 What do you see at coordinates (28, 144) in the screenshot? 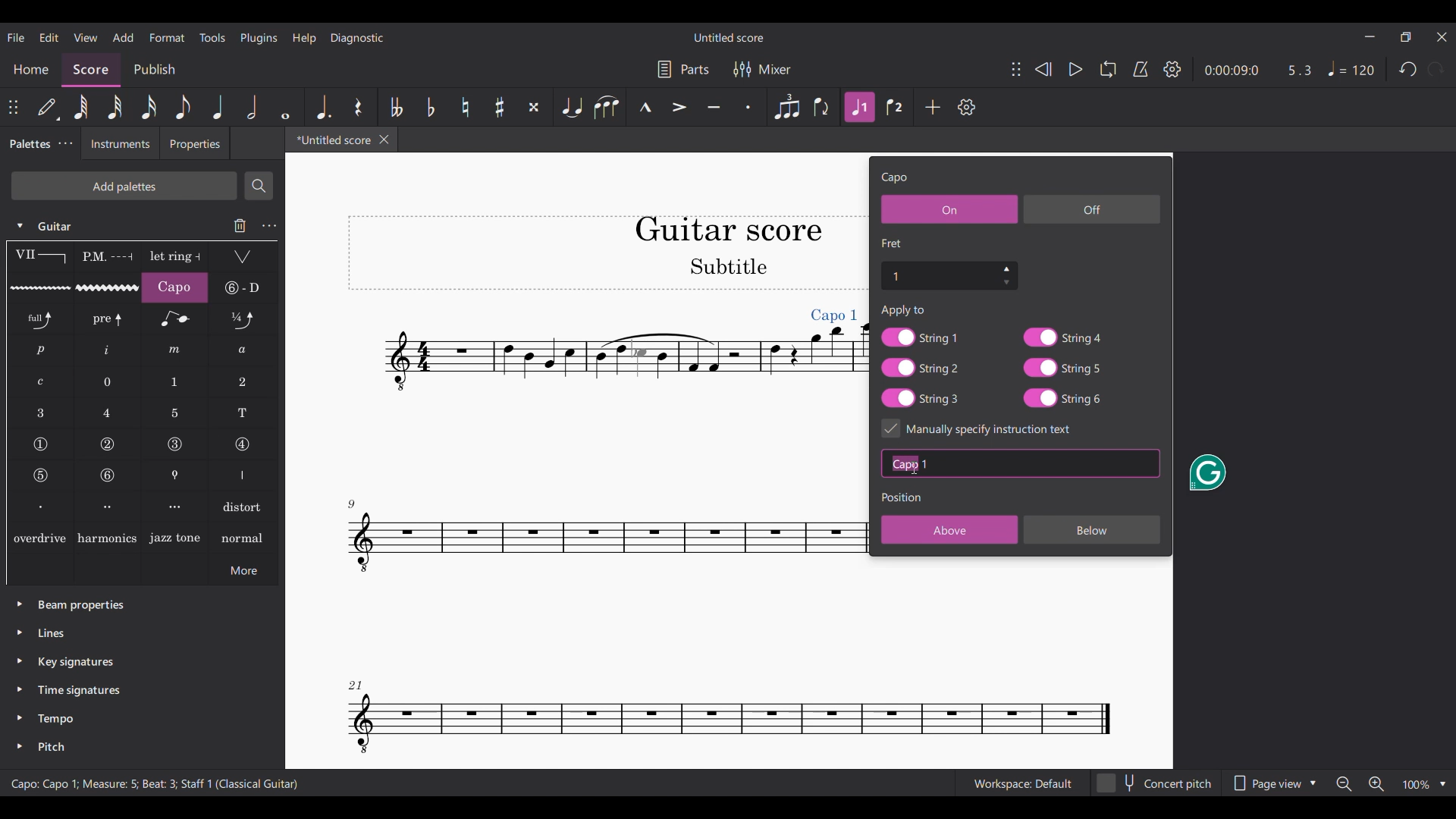
I see `Palettes, current tab` at bounding box center [28, 144].